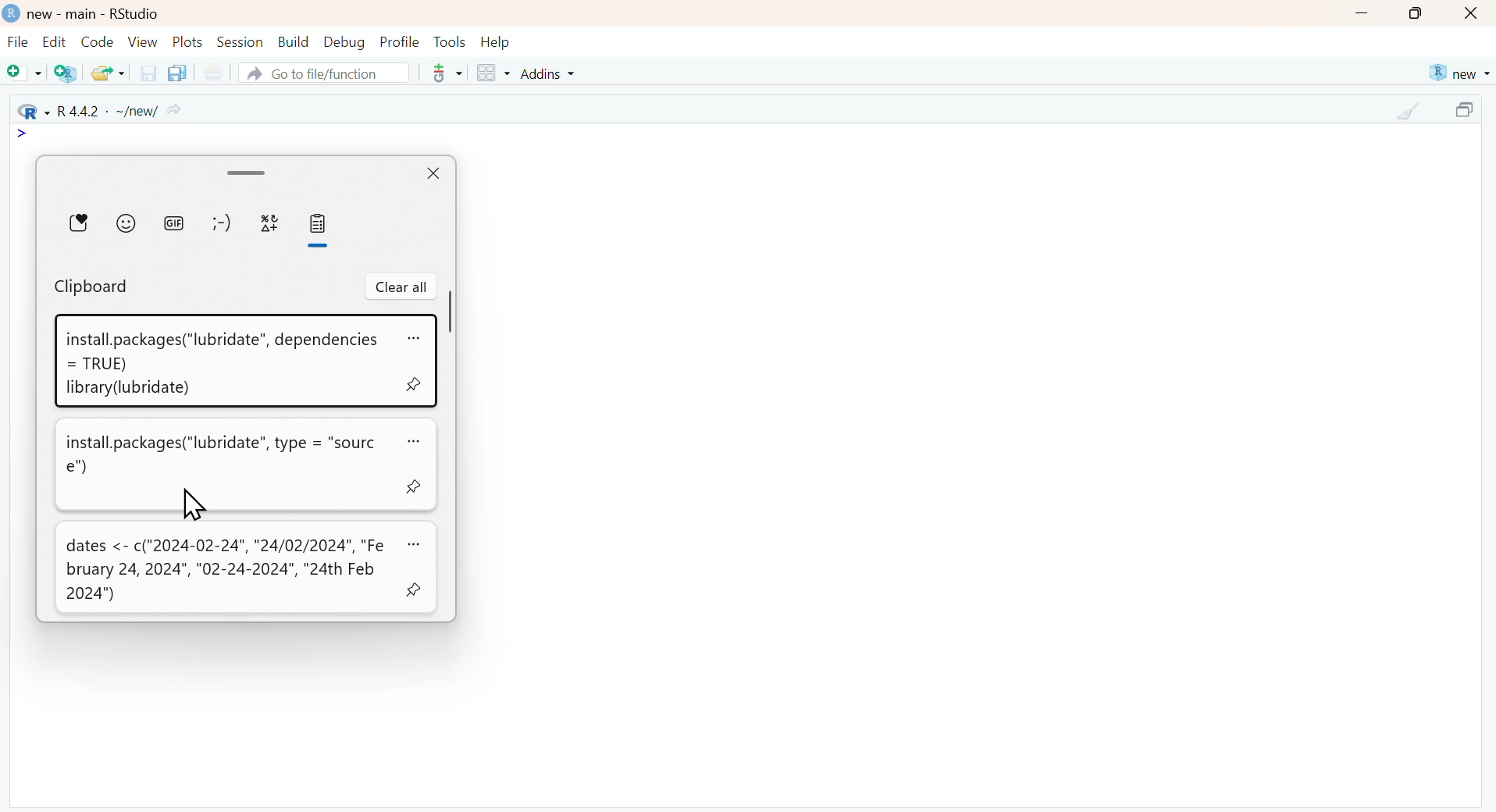 This screenshot has width=1496, height=812. I want to click on Debug, so click(343, 41).